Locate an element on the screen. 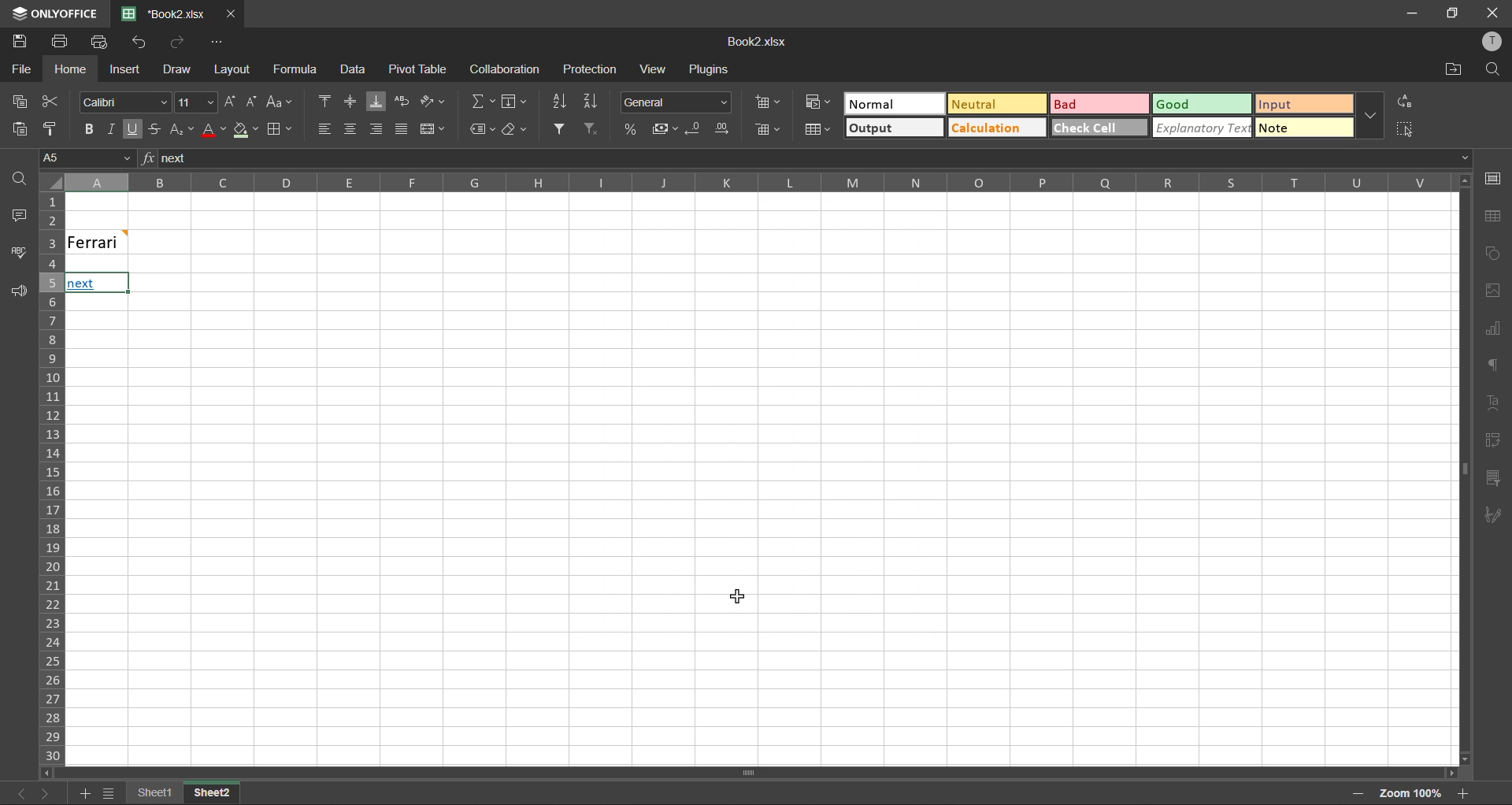 Image resolution: width=1512 pixels, height=805 pixels. underline is located at coordinates (132, 129).